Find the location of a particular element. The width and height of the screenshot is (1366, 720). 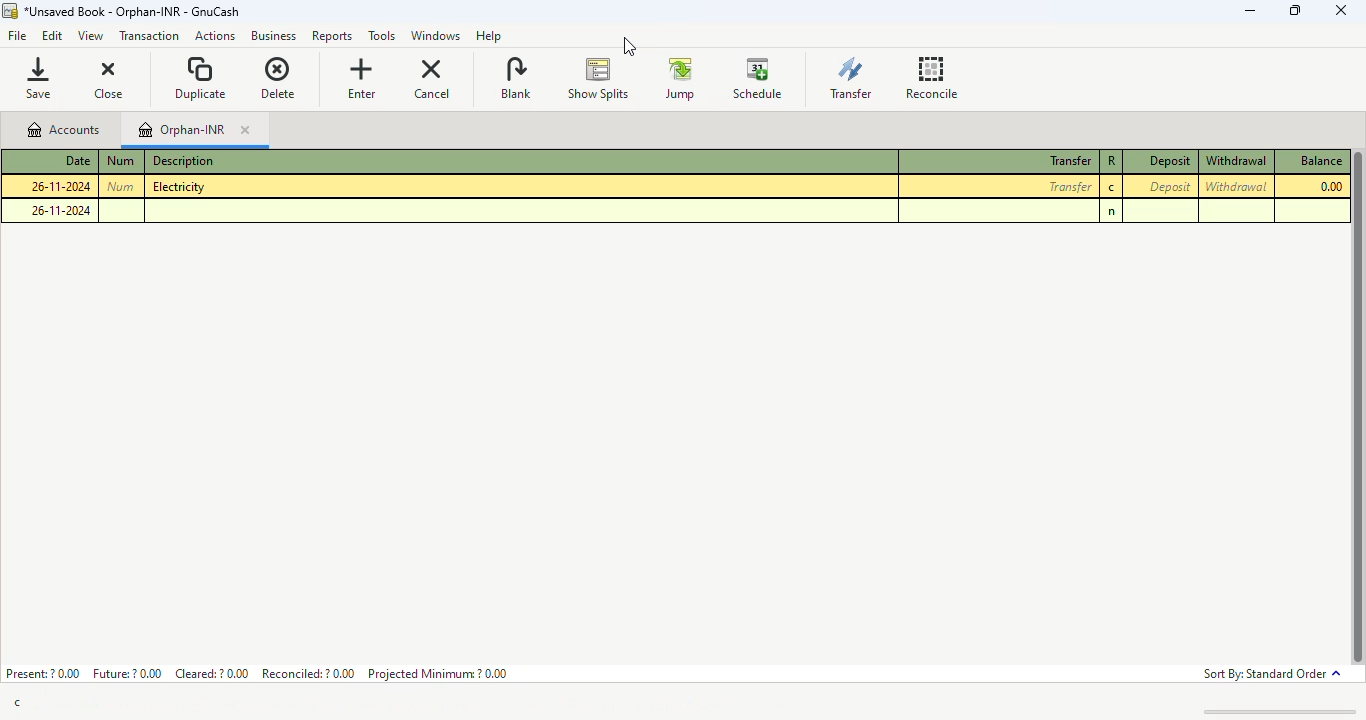

reports is located at coordinates (335, 37).